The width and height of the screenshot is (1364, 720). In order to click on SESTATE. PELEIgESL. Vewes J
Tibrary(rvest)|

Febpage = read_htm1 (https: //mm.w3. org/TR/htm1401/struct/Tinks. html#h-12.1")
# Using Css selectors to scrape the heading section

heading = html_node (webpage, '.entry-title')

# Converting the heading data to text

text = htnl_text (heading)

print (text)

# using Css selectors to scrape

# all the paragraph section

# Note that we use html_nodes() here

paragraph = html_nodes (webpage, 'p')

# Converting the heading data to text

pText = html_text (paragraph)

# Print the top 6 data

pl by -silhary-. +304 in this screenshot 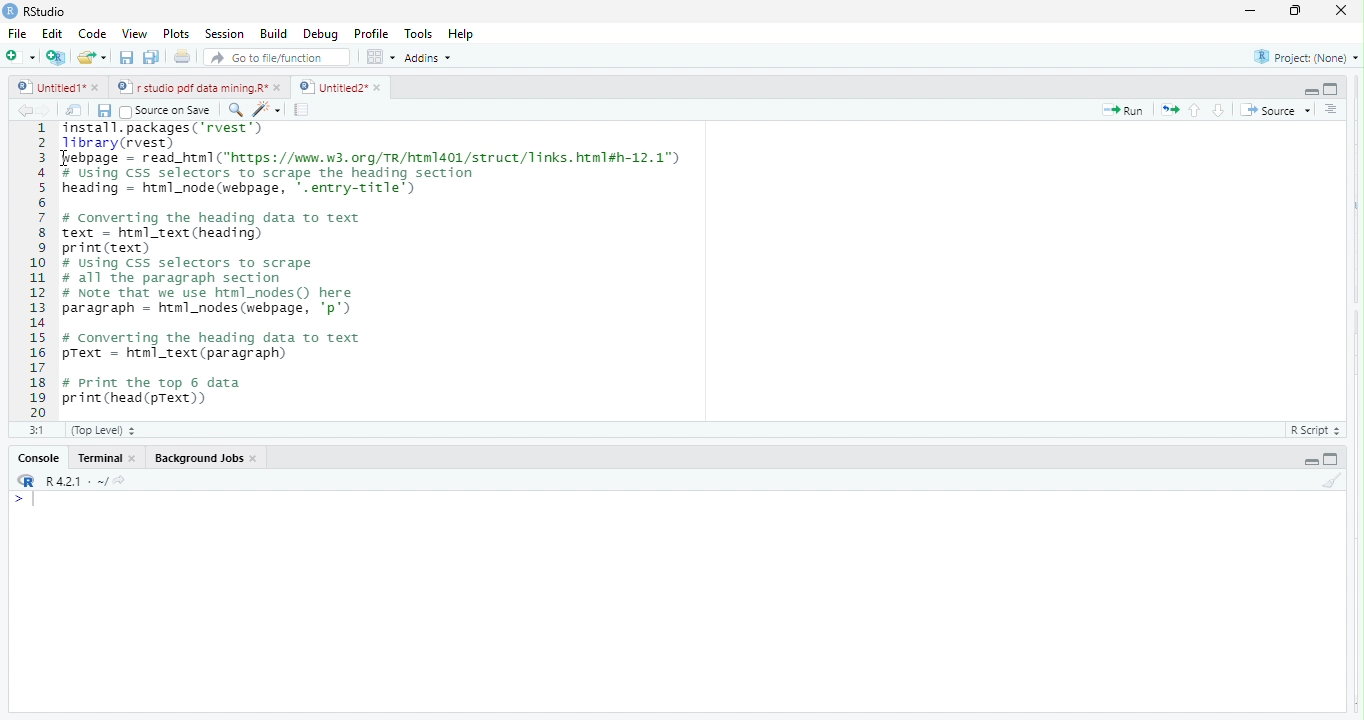, I will do `click(440, 268)`.